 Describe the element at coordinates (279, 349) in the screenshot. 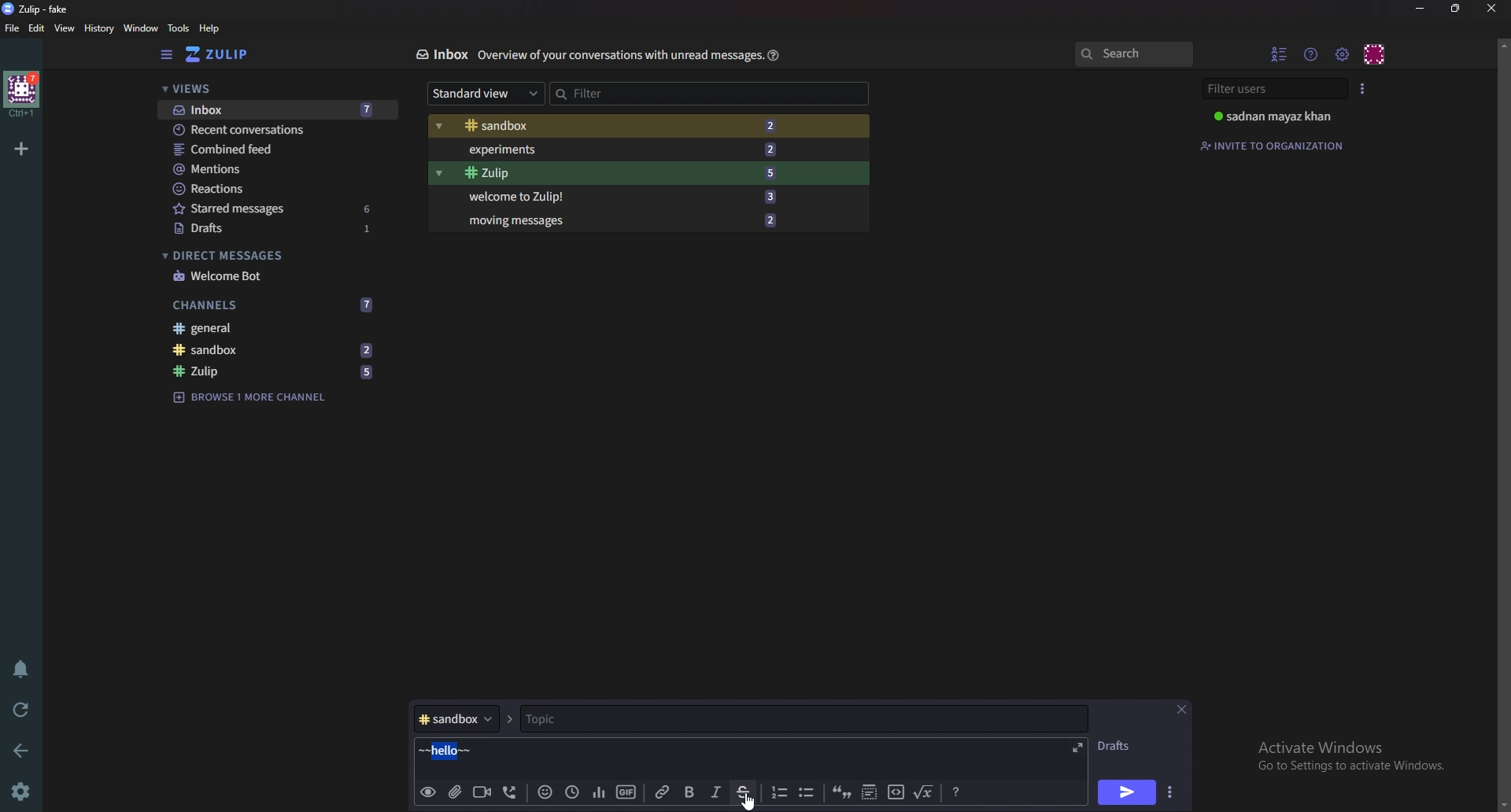

I see `sandbox` at that location.